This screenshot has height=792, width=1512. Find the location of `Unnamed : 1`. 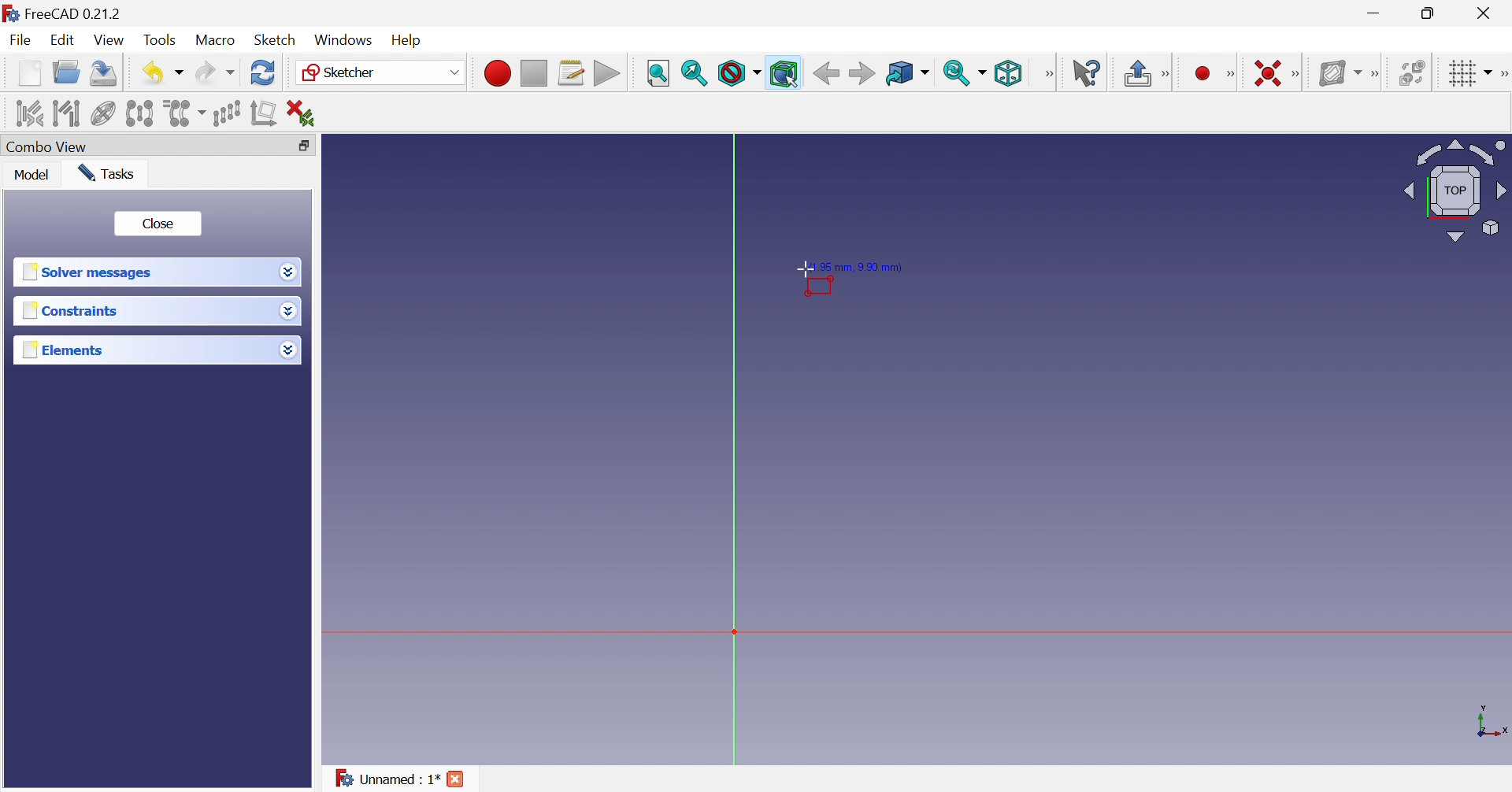

Unnamed : 1 is located at coordinates (387, 779).